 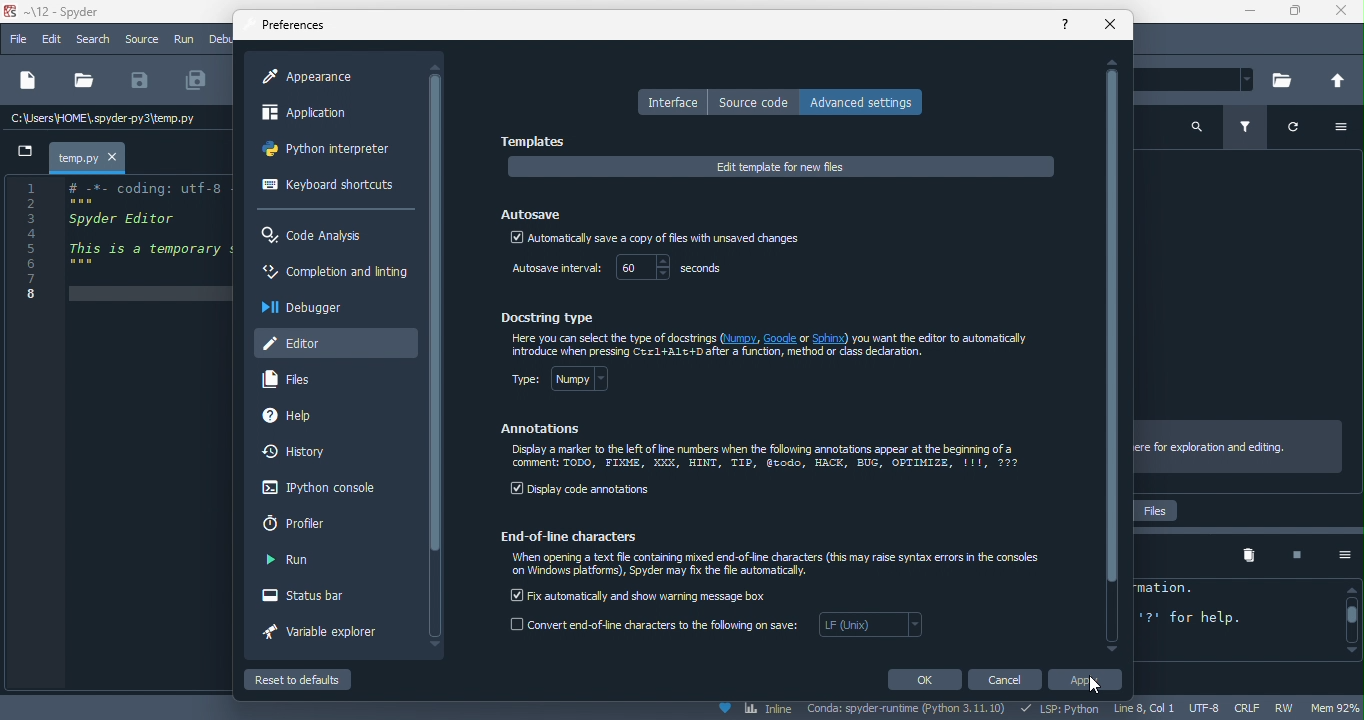 I want to click on coding, so click(x=119, y=240).